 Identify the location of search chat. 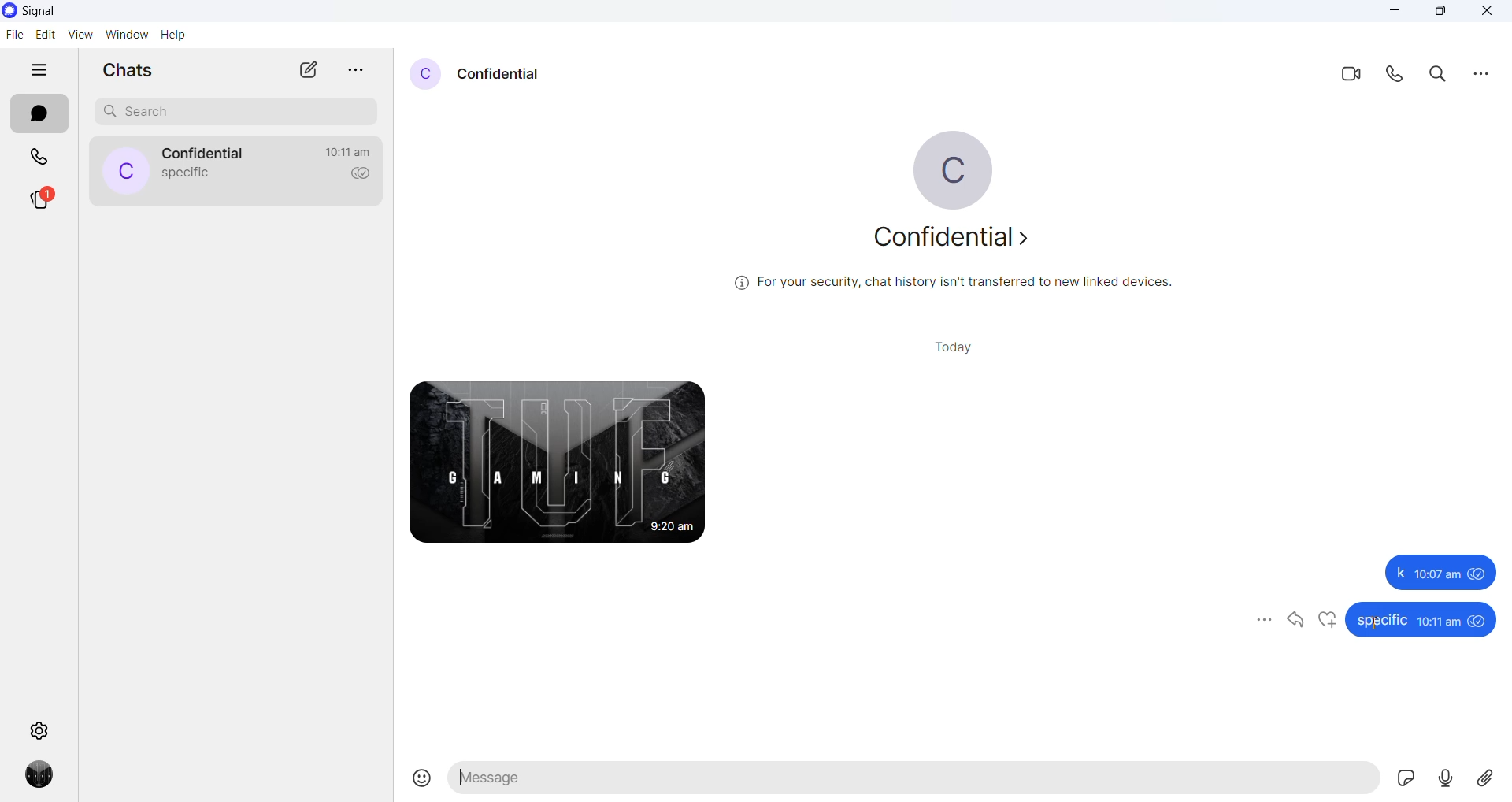
(238, 112).